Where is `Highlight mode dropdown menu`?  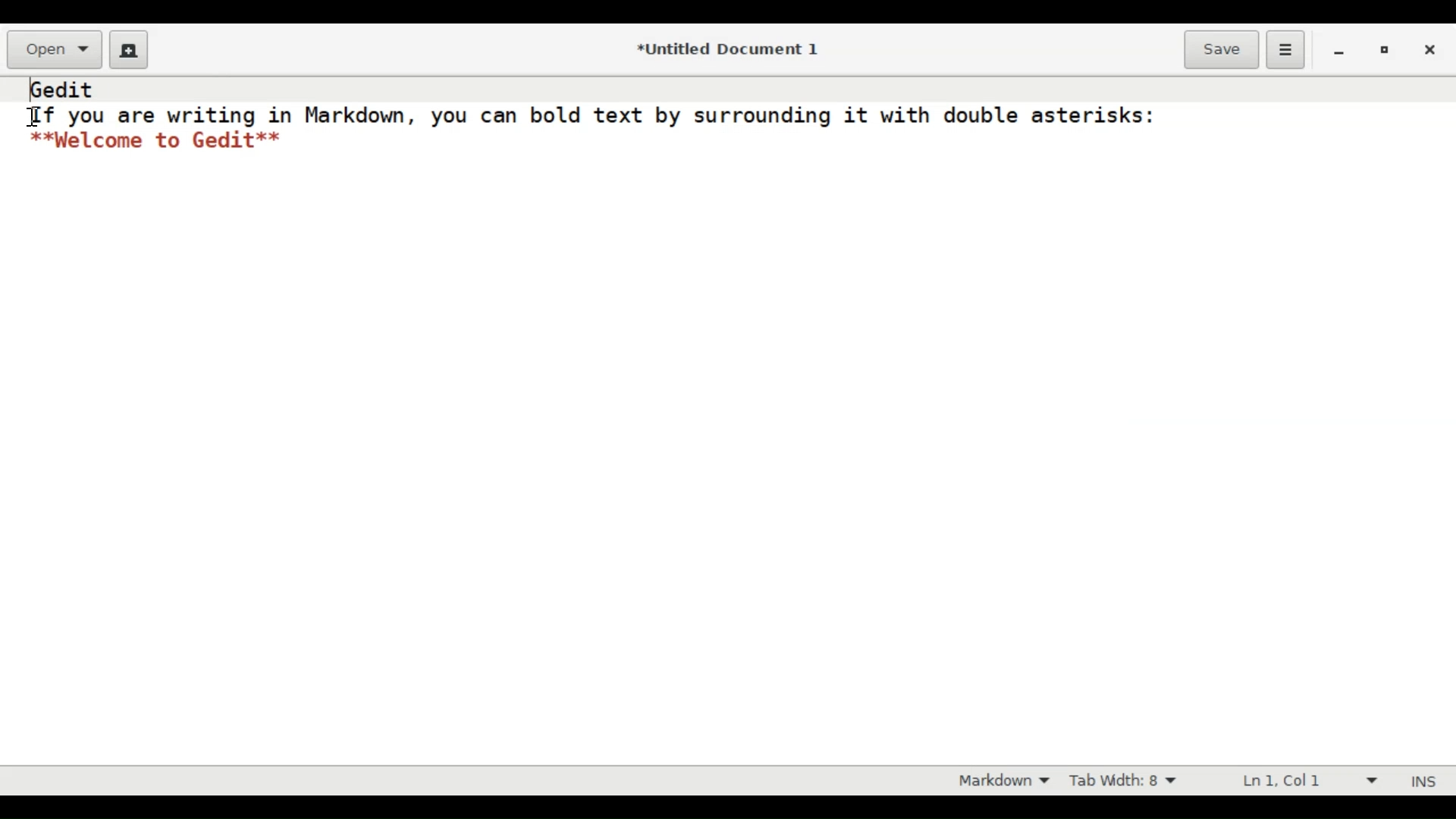
Highlight mode dropdown menu is located at coordinates (1005, 782).